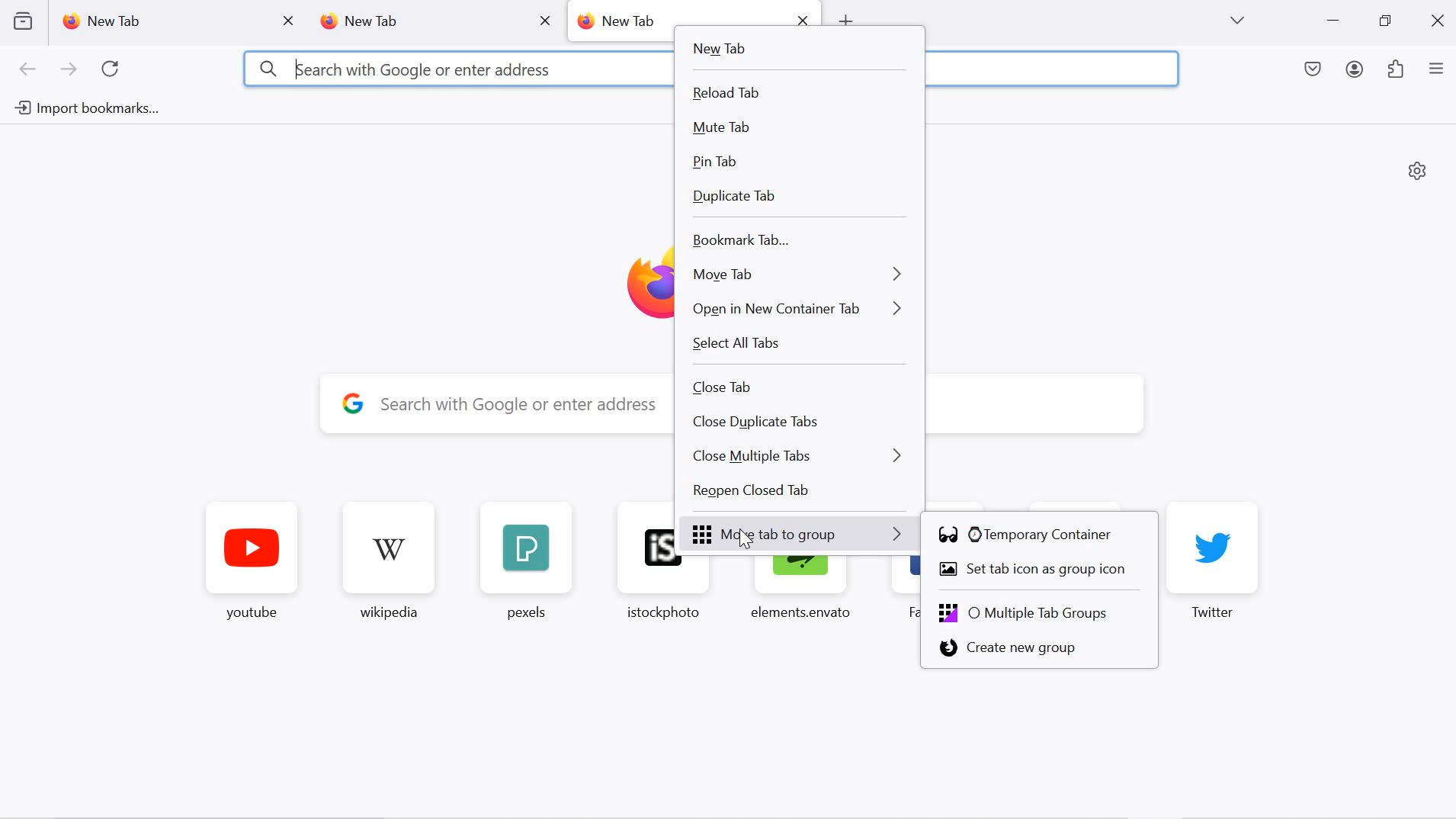  Describe the element at coordinates (800, 423) in the screenshot. I see `close duplicate tabs` at that location.